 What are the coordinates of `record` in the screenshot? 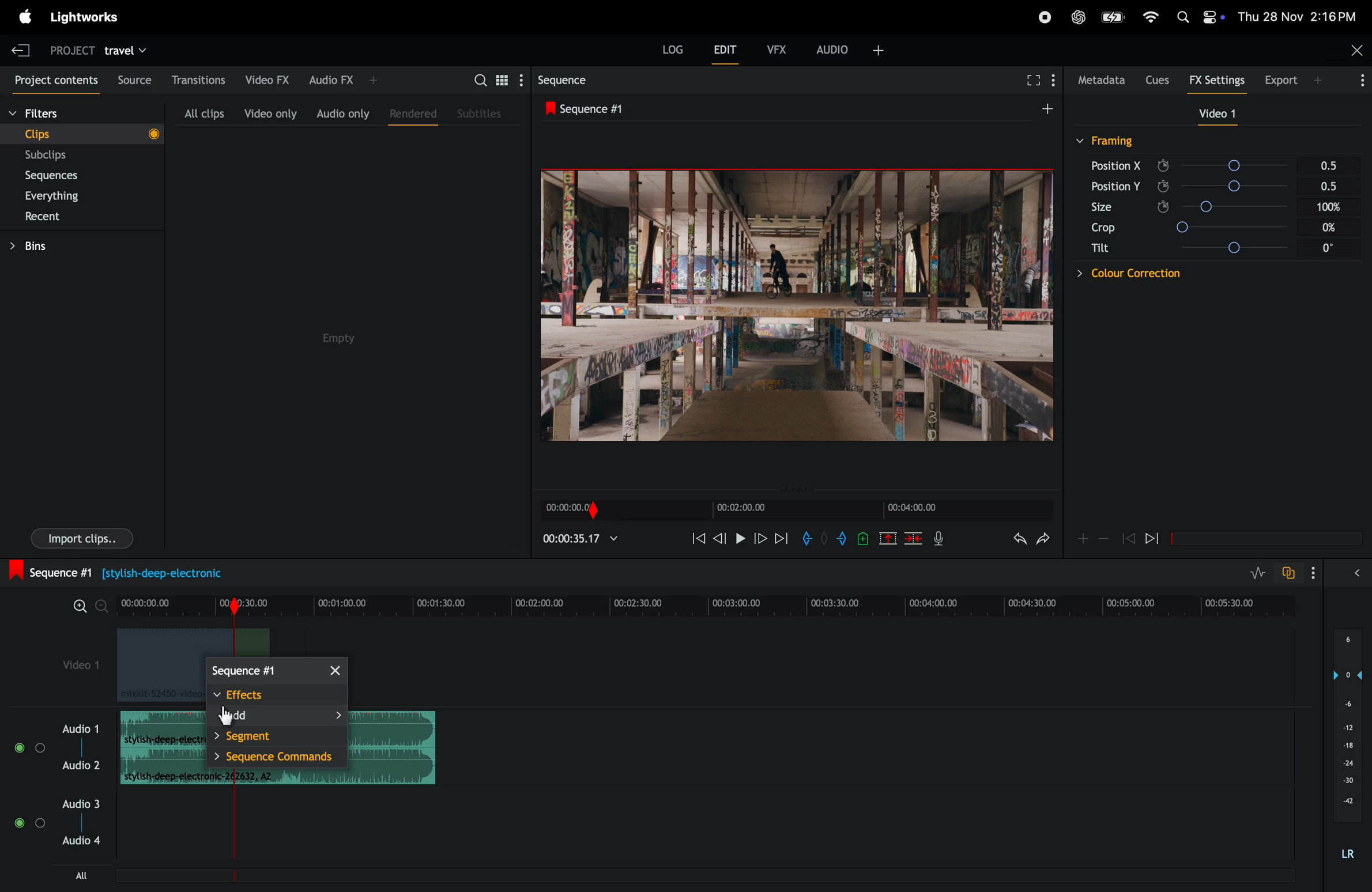 It's located at (1039, 17).